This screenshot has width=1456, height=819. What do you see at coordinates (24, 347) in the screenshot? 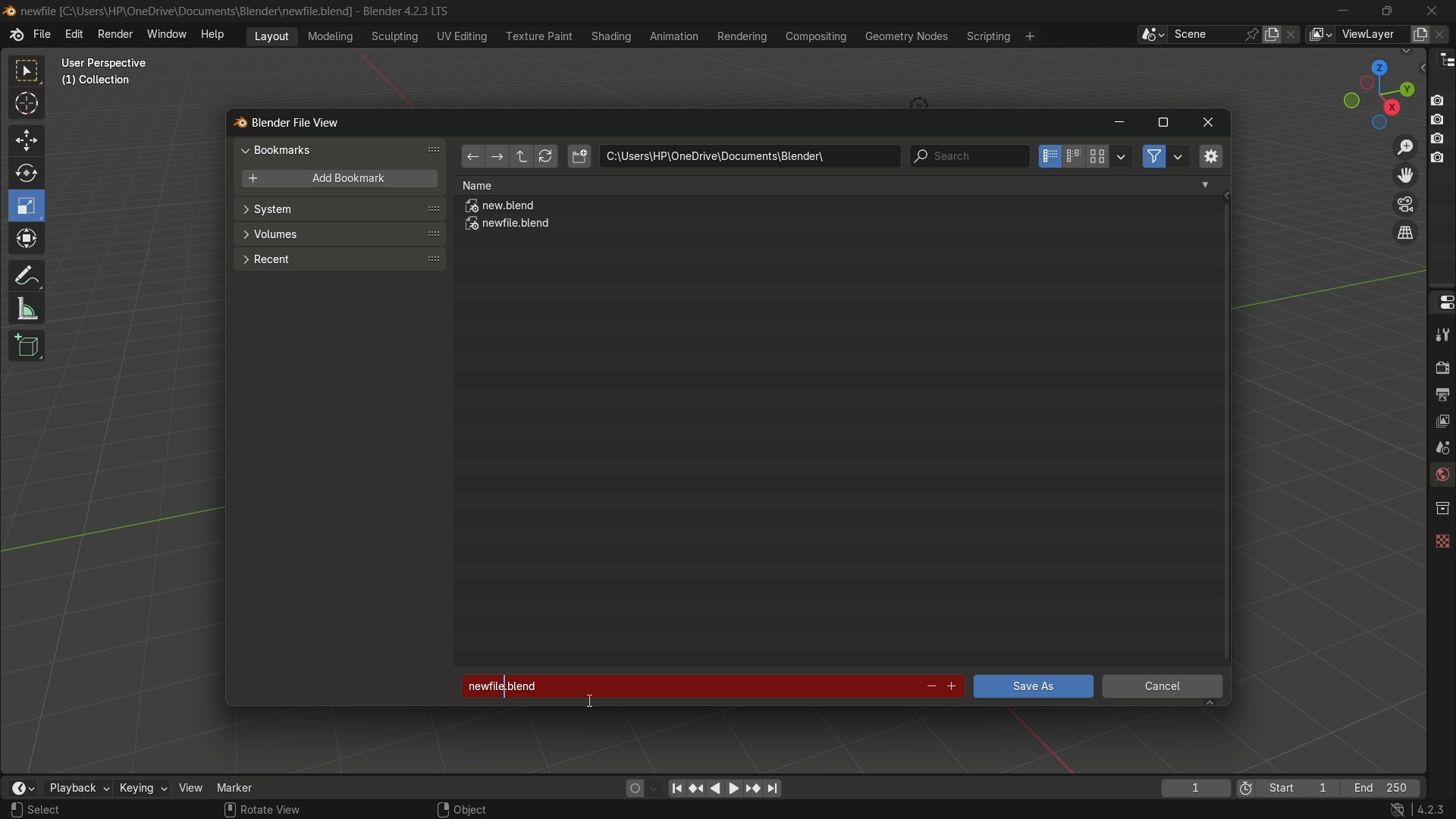
I see `add cube` at bounding box center [24, 347].